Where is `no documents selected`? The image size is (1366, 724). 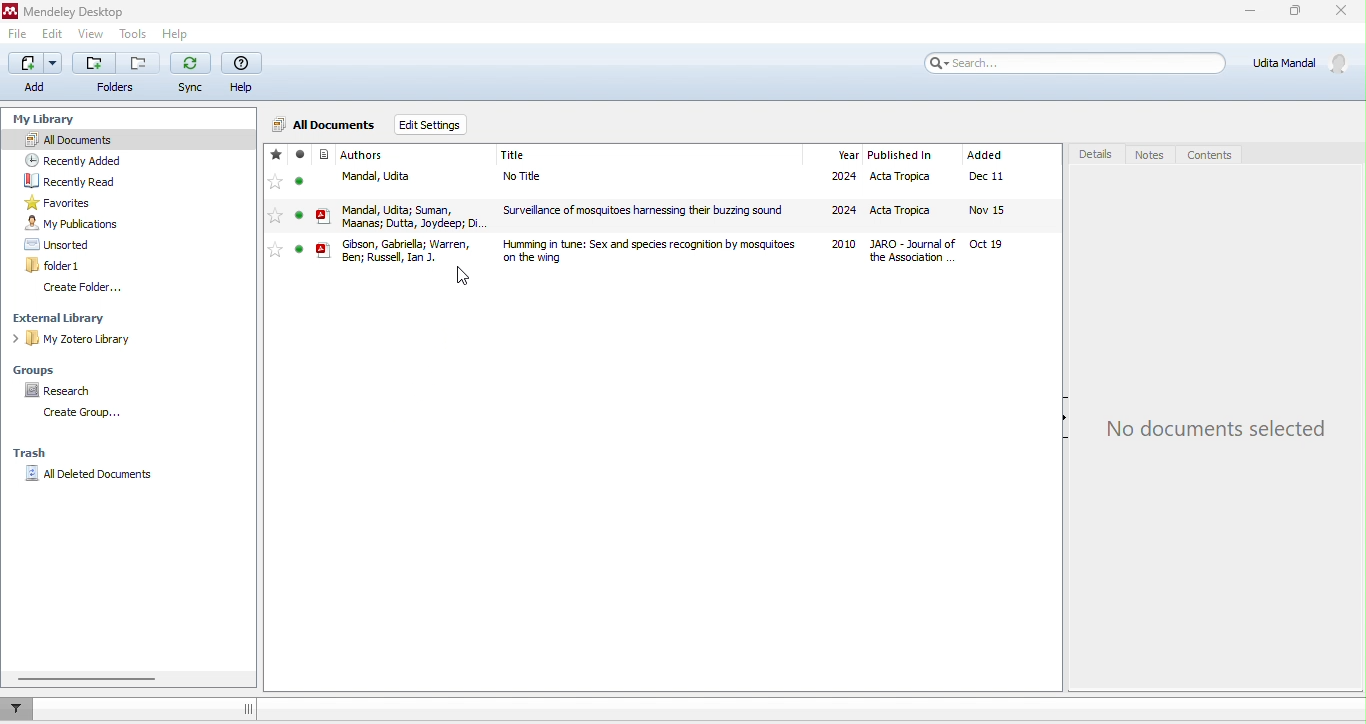 no documents selected is located at coordinates (1217, 427).